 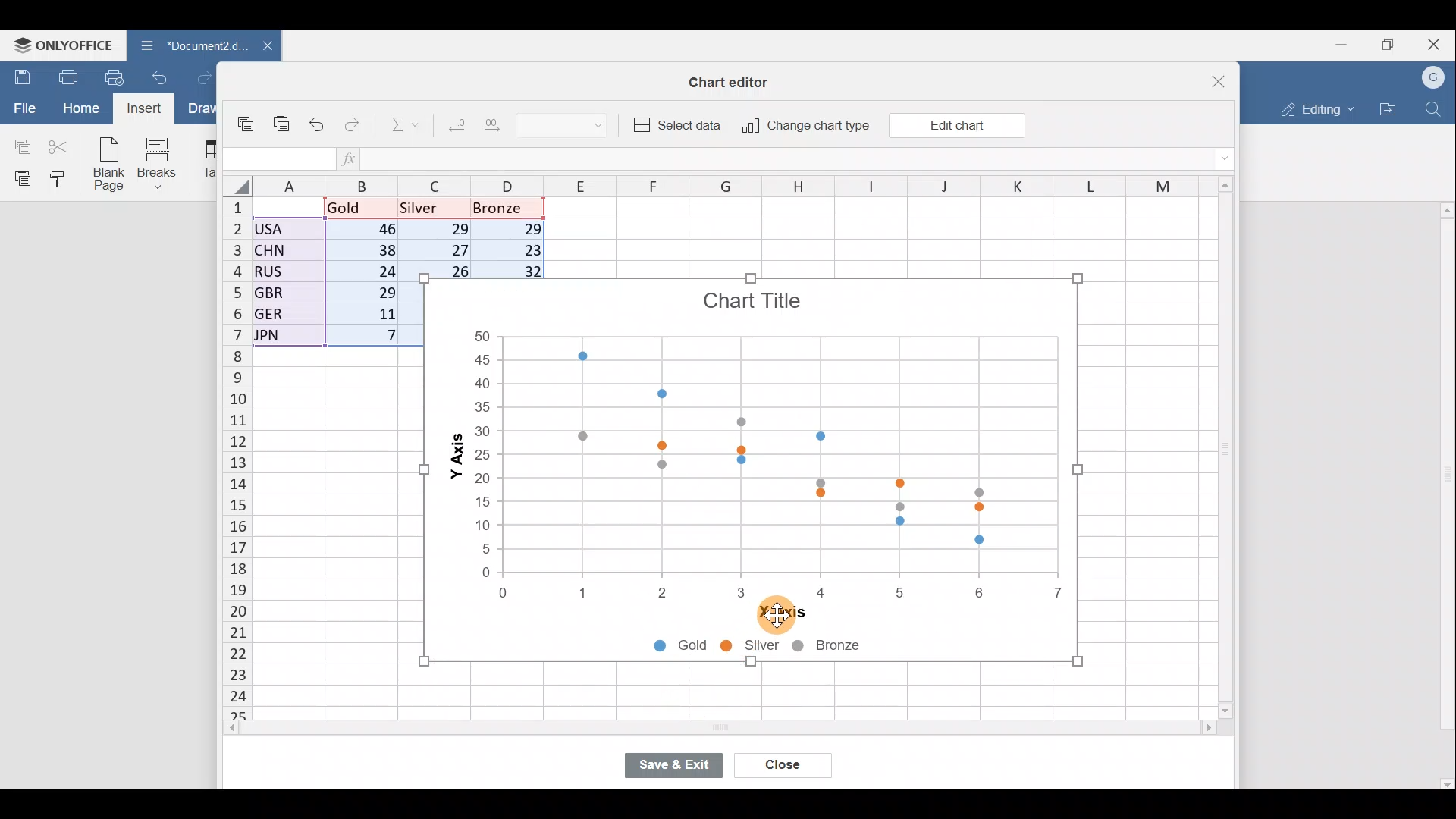 I want to click on Find, so click(x=1434, y=109).